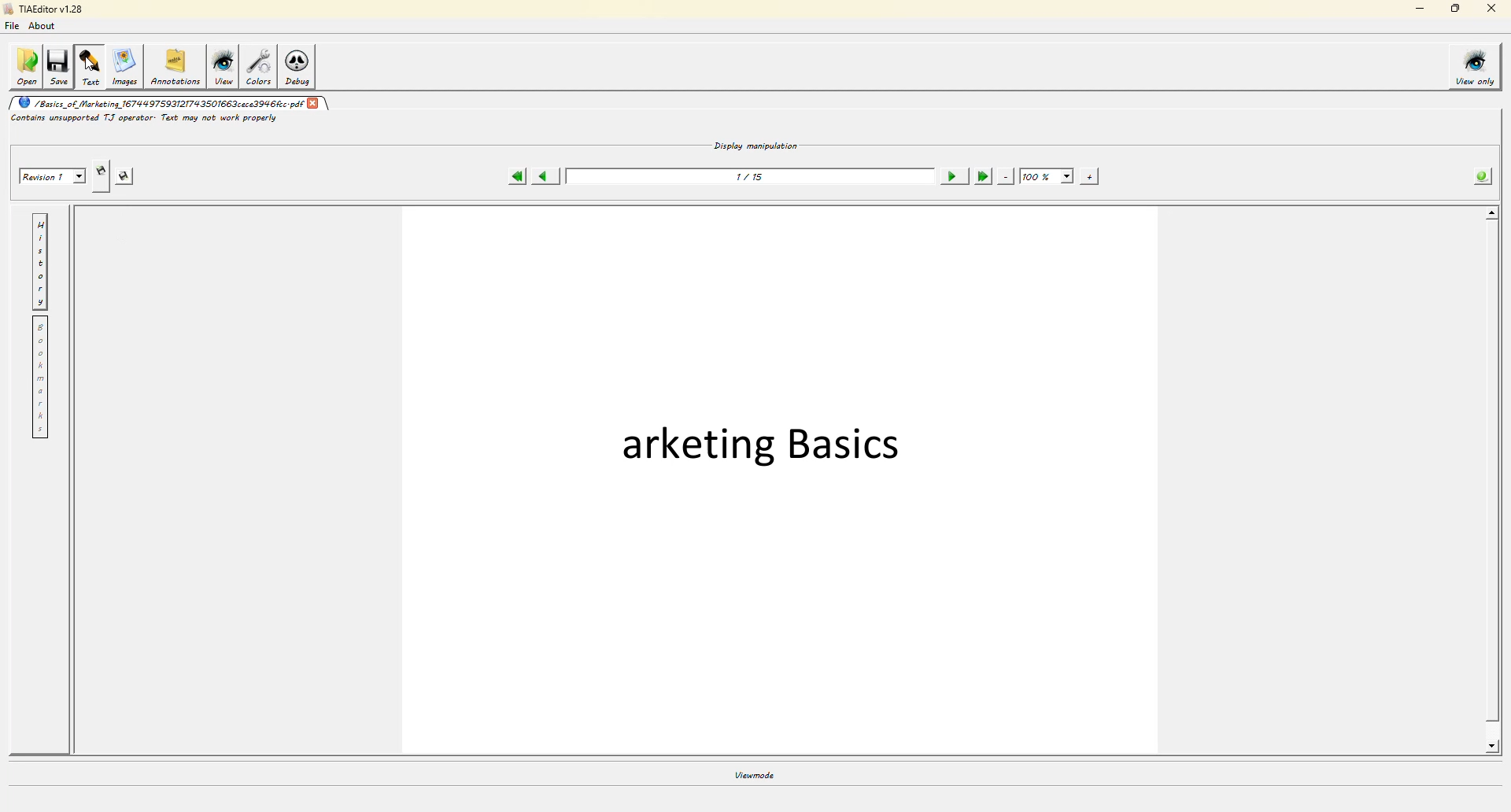 The image size is (1511, 812). Describe the element at coordinates (751, 179) in the screenshot. I see `page number` at that location.